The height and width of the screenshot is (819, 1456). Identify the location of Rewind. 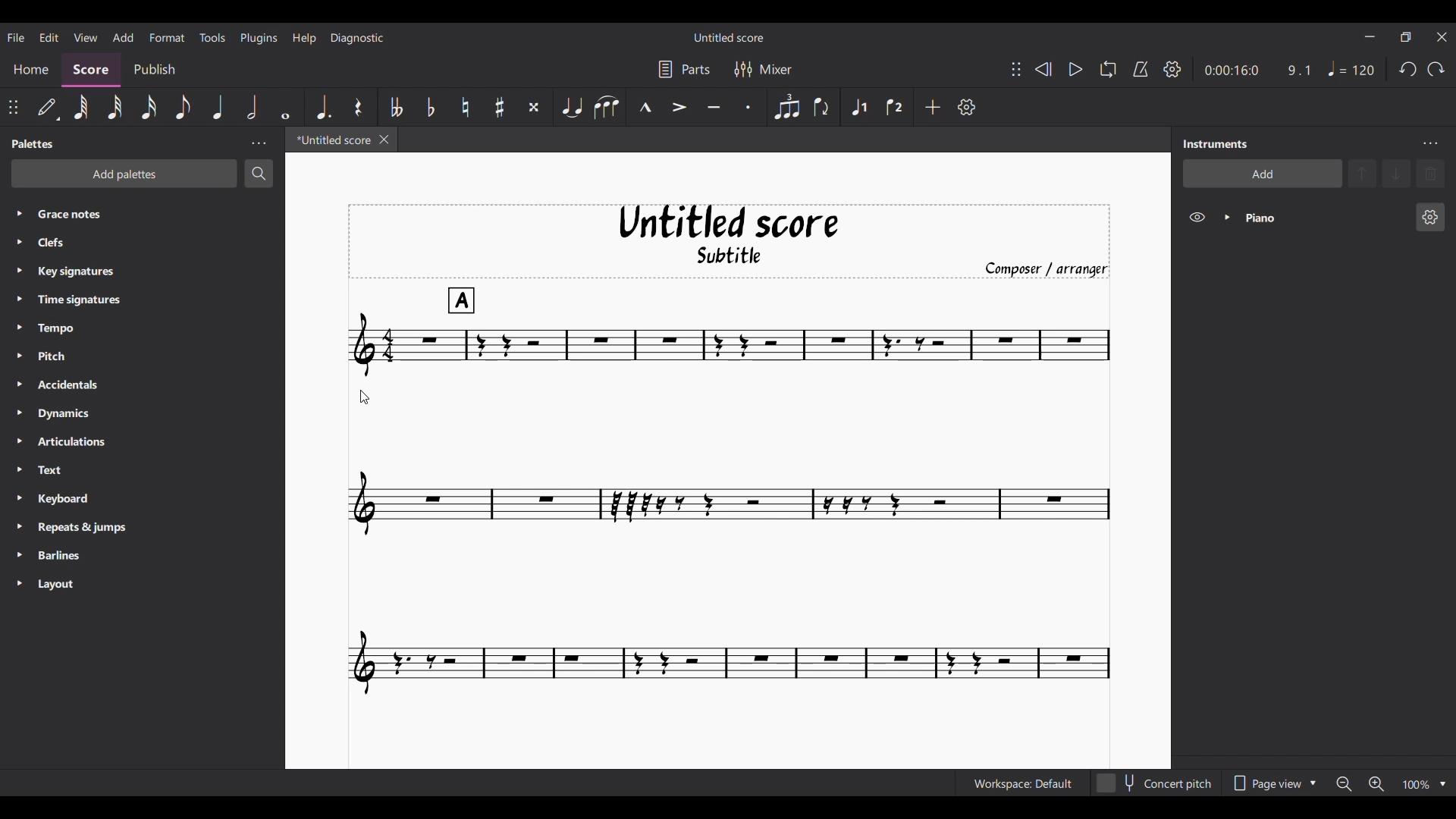
(1043, 69).